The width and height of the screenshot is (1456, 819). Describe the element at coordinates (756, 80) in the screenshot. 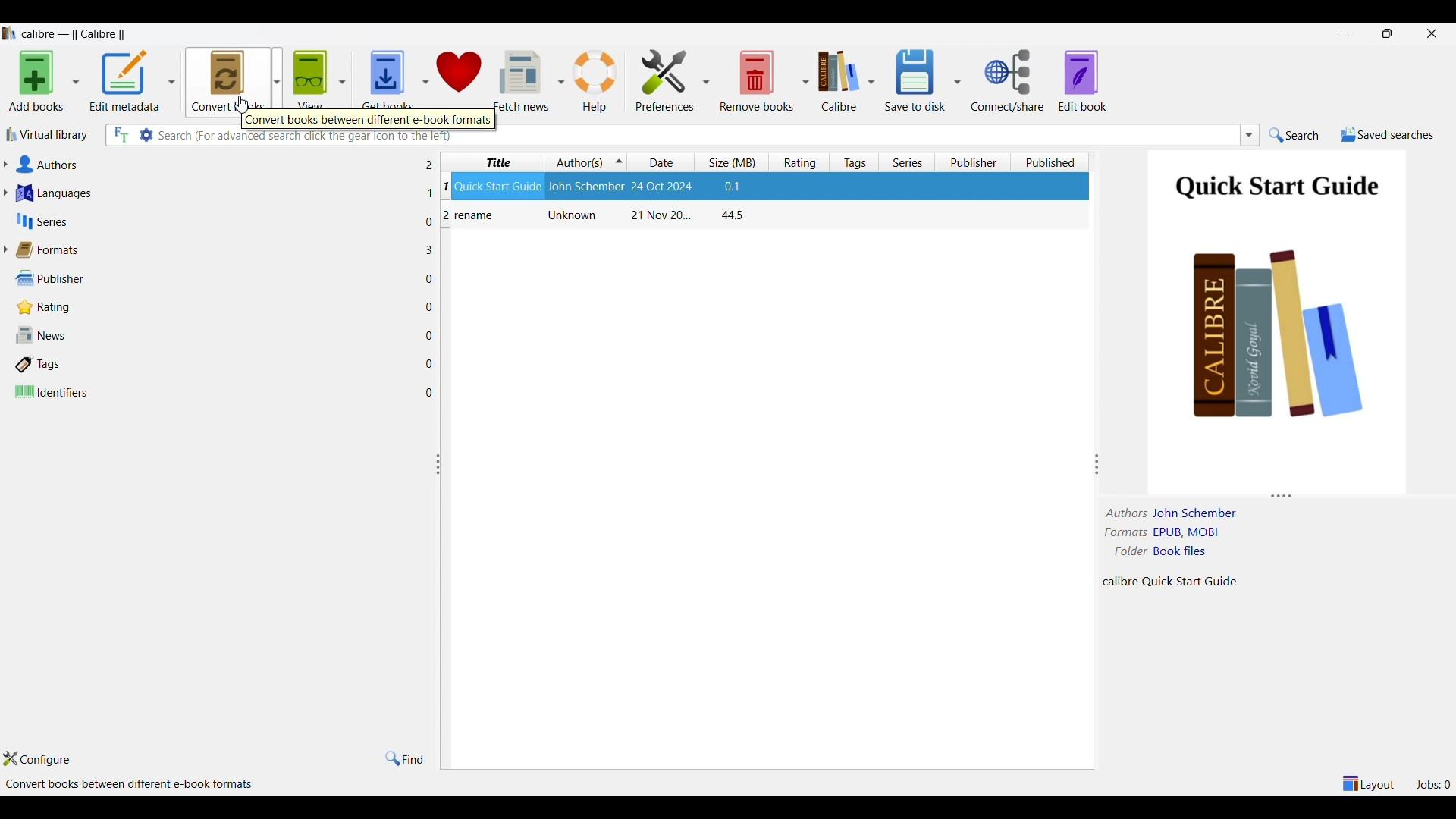

I see `Remove books` at that location.